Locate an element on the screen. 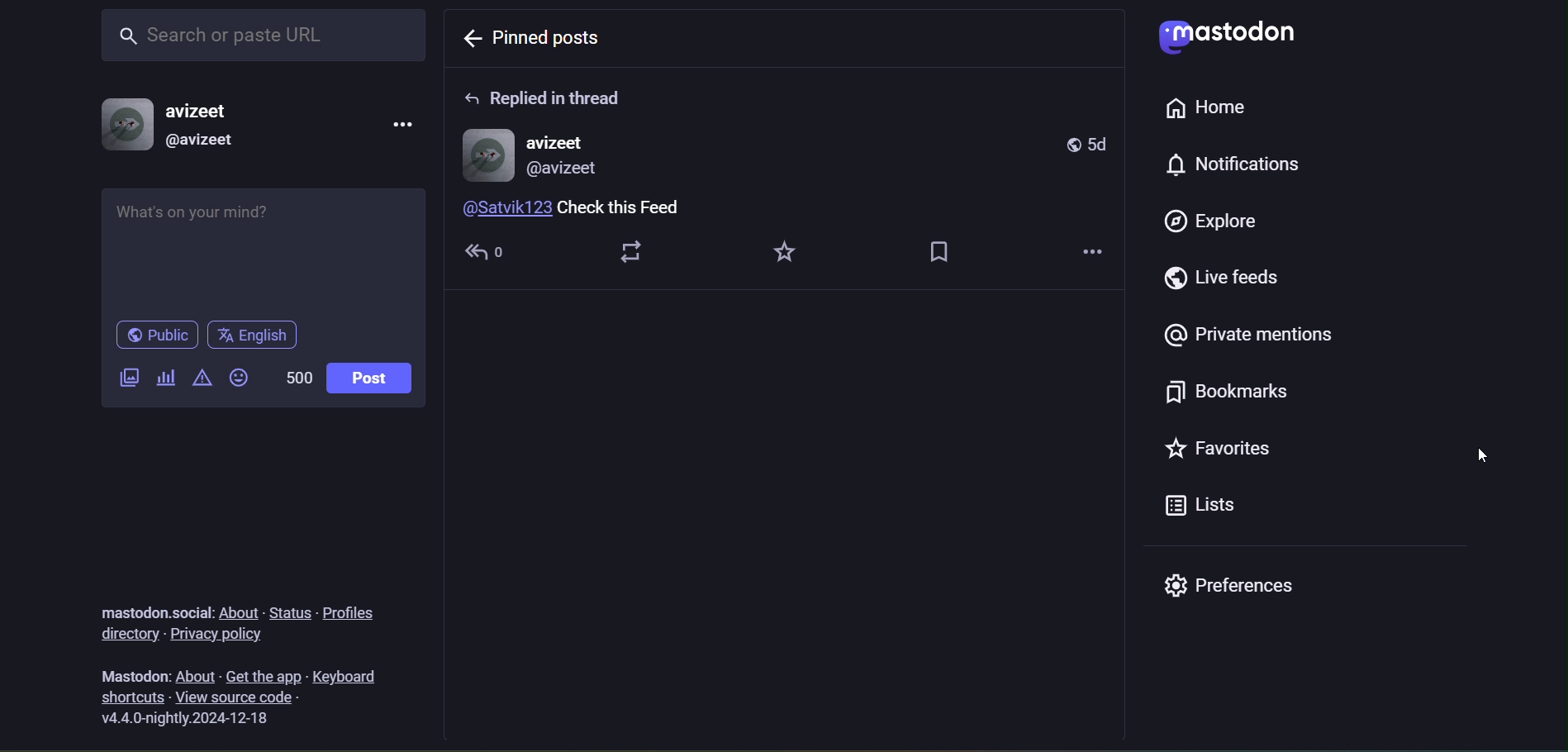 Image resolution: width=1568 pixels, height=752 pixels. content warning is located at coordinates (199, 375).